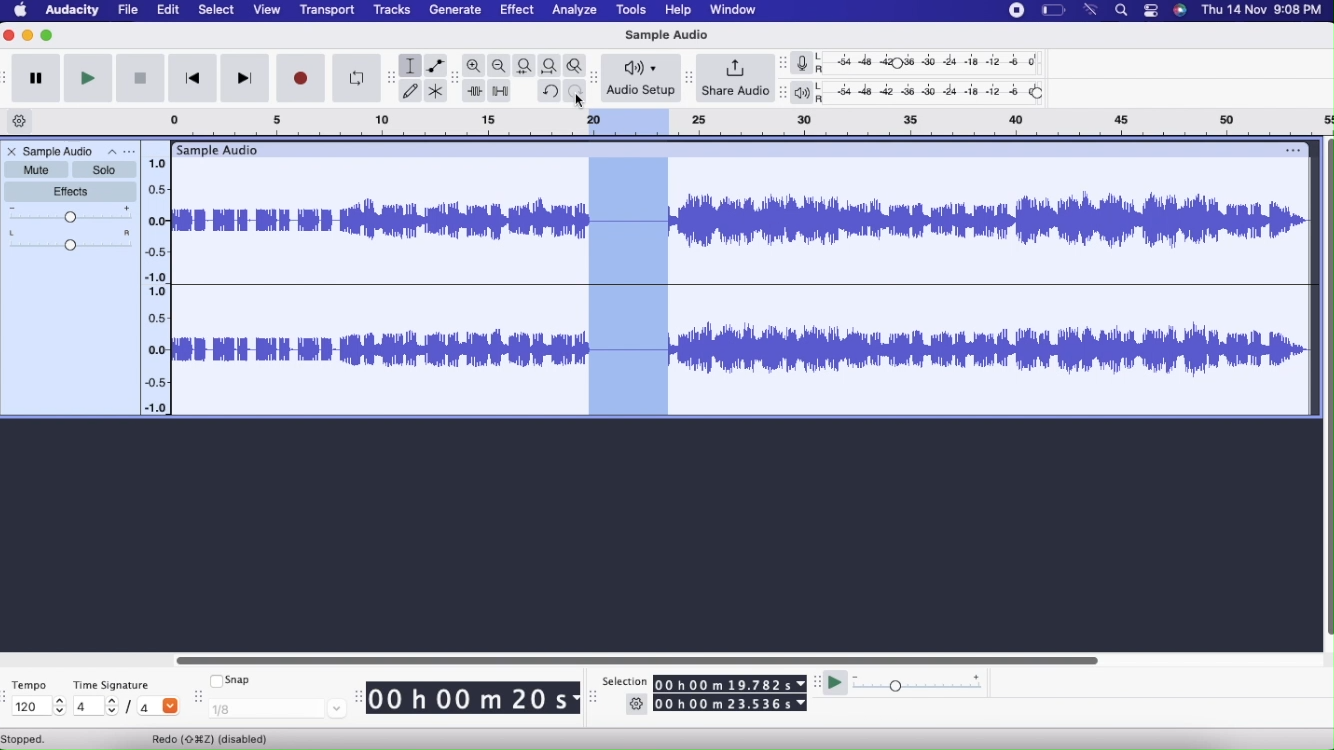  What do you see at coordinates (40, 707) in the screenshot?
I see `120` at bounding box center [40, 707].